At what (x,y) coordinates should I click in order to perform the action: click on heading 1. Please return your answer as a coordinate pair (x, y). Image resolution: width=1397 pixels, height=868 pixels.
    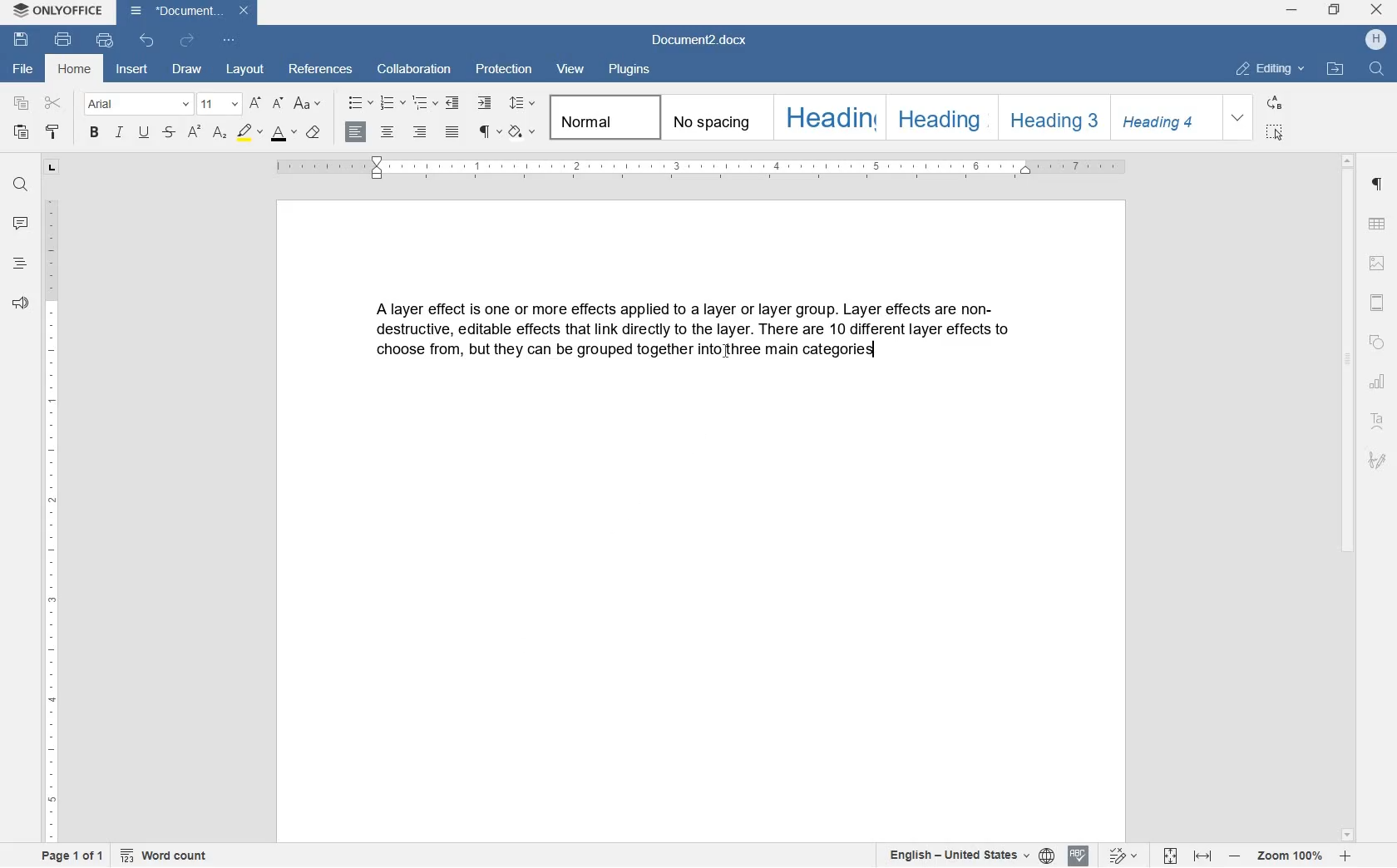
    Looking at the image, I should click on (827, 118).